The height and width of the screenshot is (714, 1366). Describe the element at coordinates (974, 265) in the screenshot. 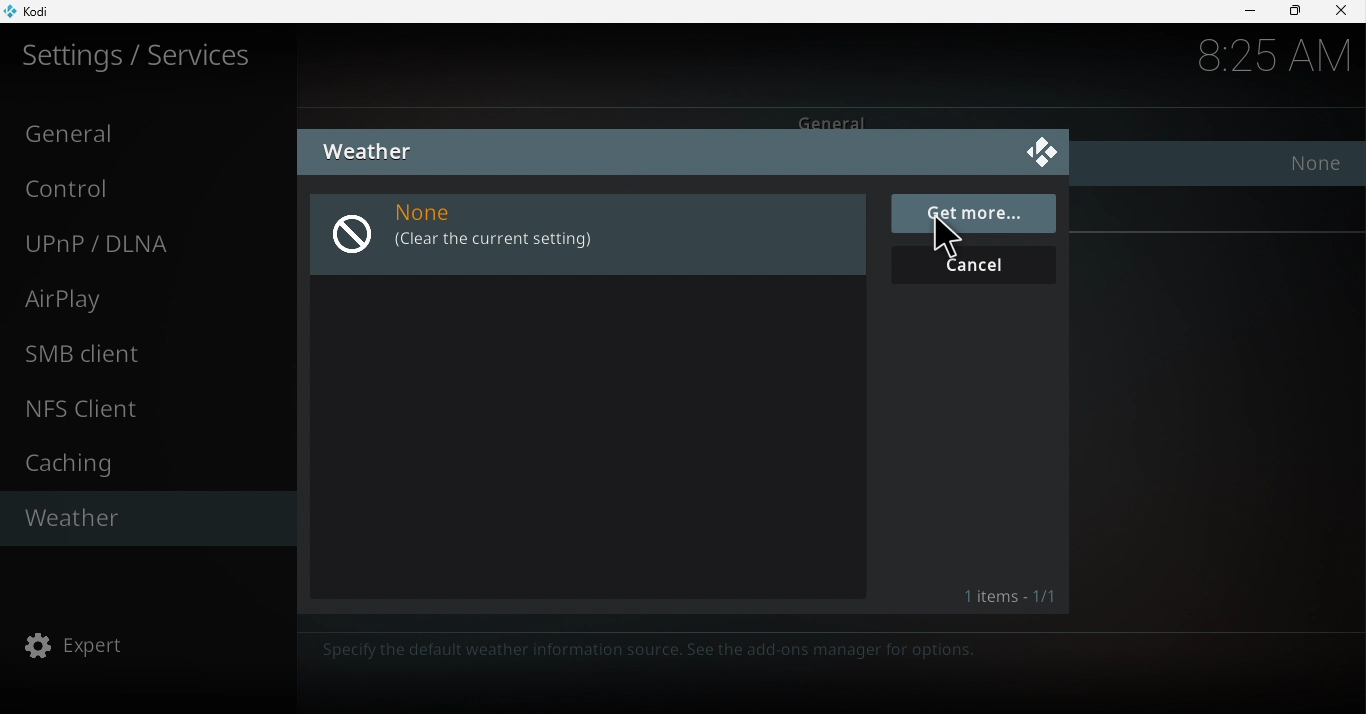

I see `Cancel` at that location.